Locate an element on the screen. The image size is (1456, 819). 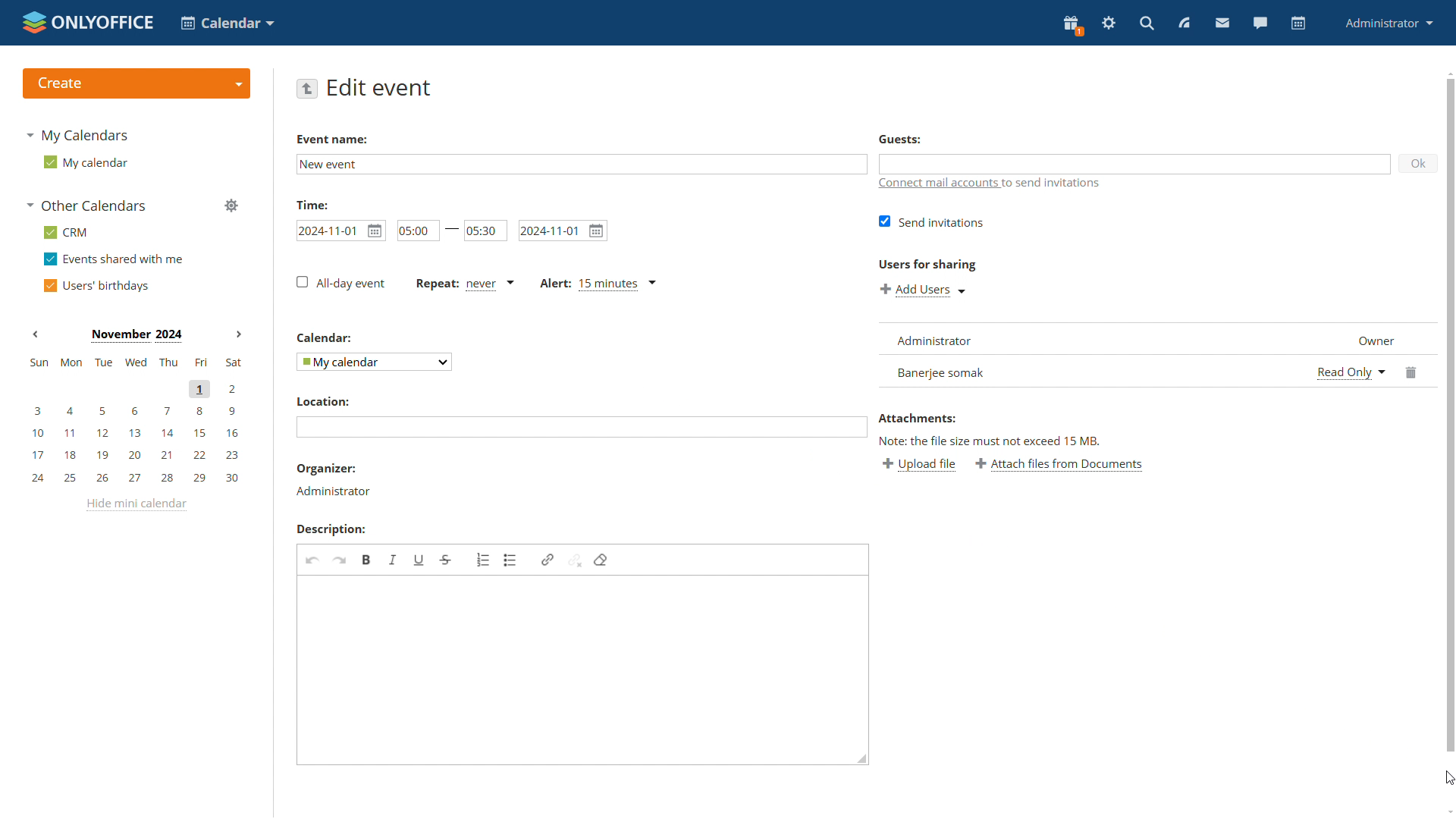
end date is located at coordinates (564, 231).